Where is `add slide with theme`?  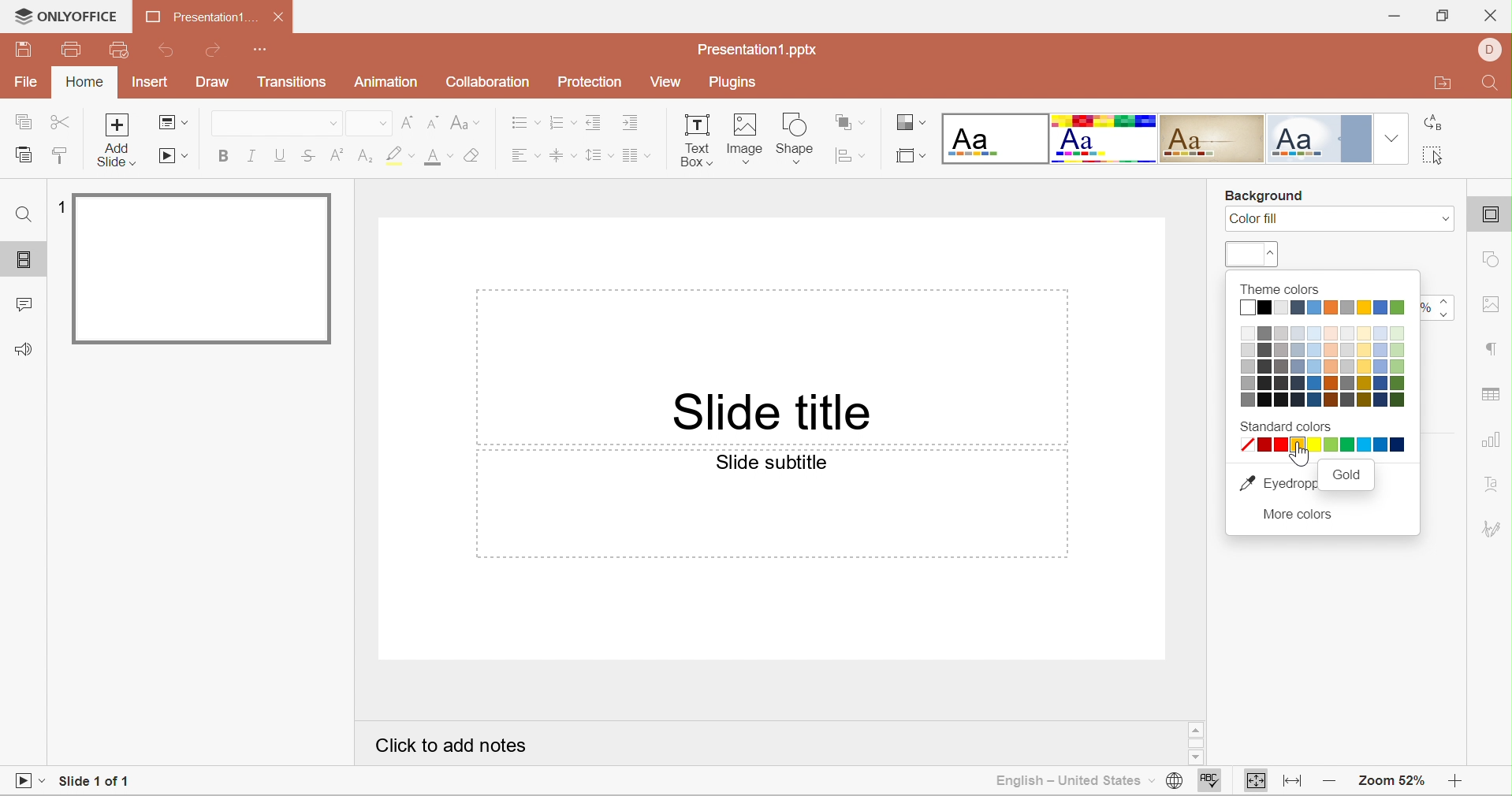 add slide with theme is located at coordinates (117, 154).